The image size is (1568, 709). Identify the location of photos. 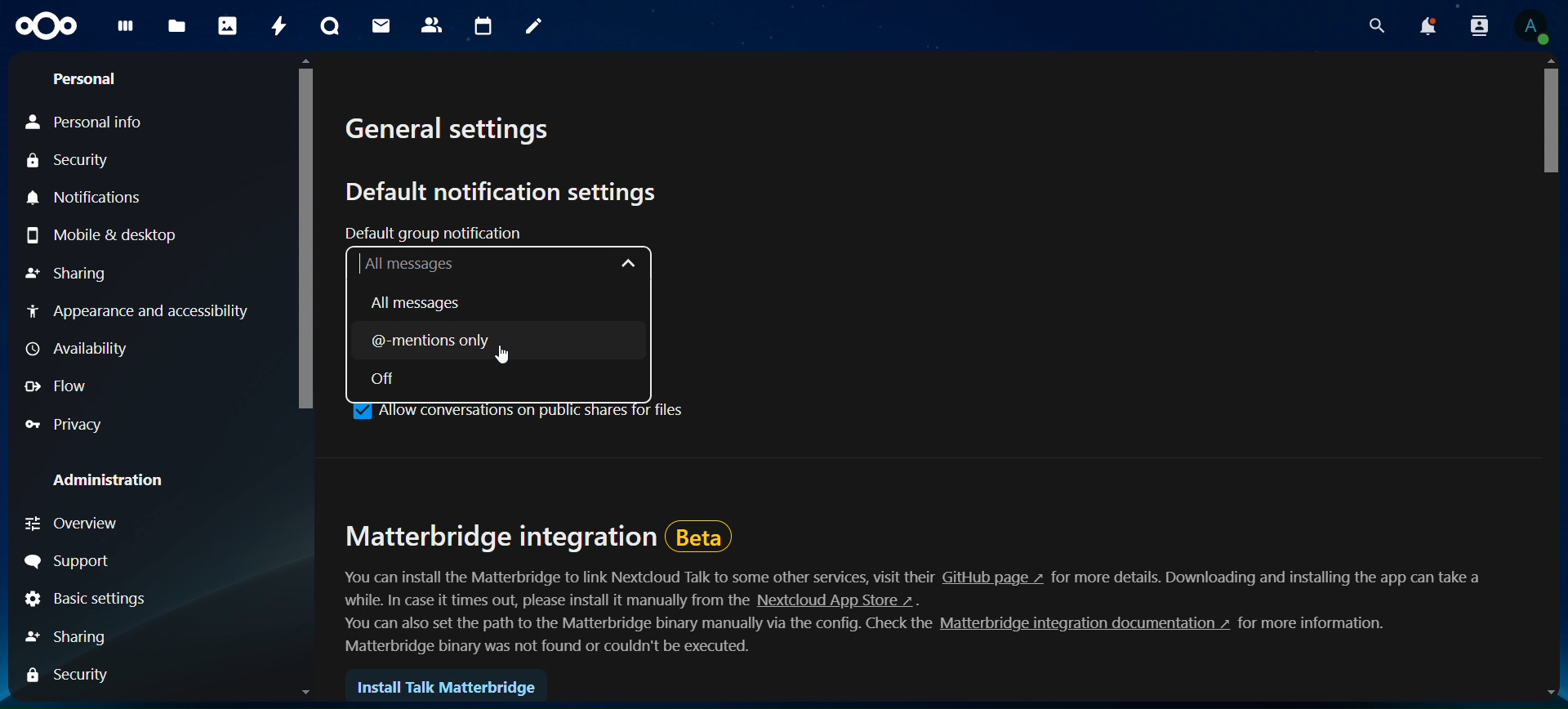
(227, 25).